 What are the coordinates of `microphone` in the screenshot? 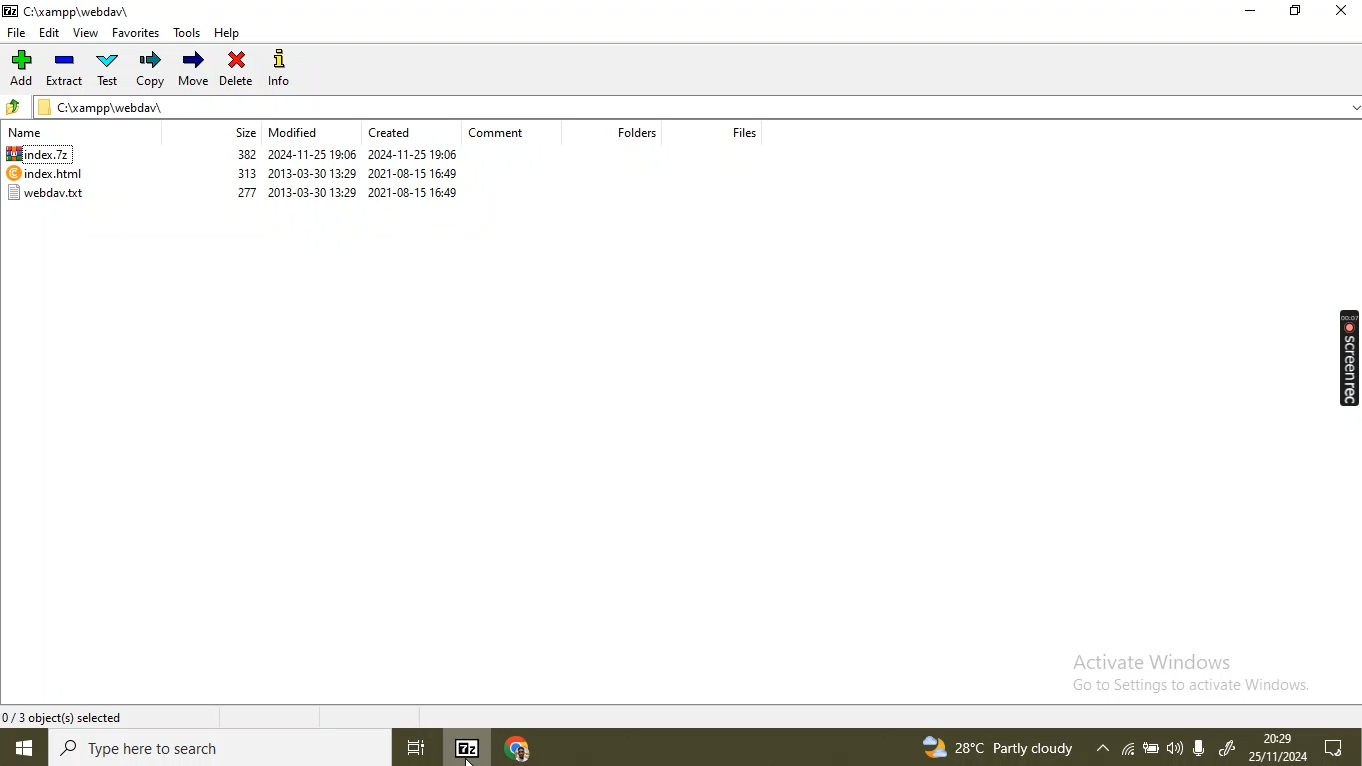 It's located at (1174, 749).